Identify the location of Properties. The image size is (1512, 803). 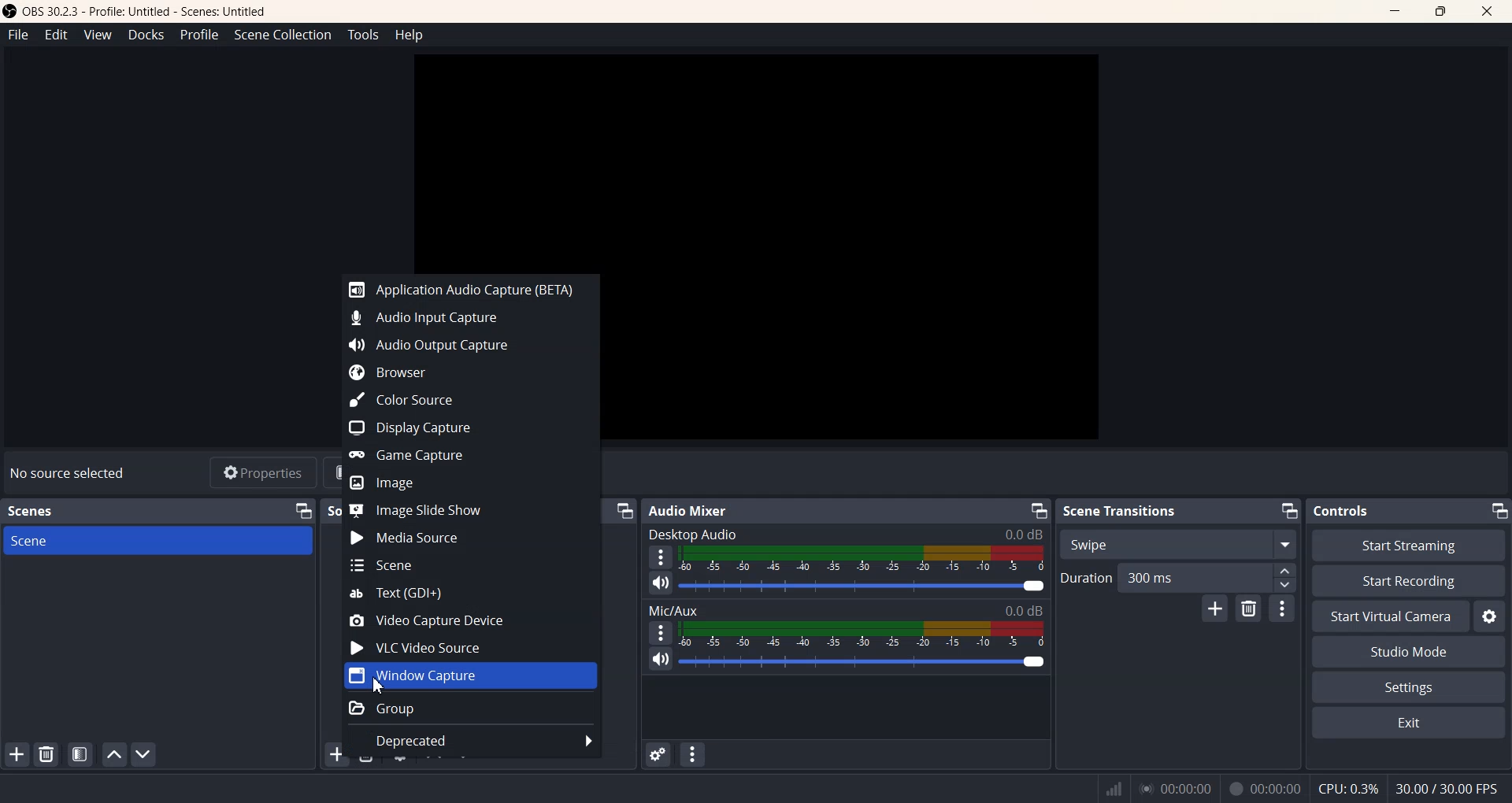
(261, 472).